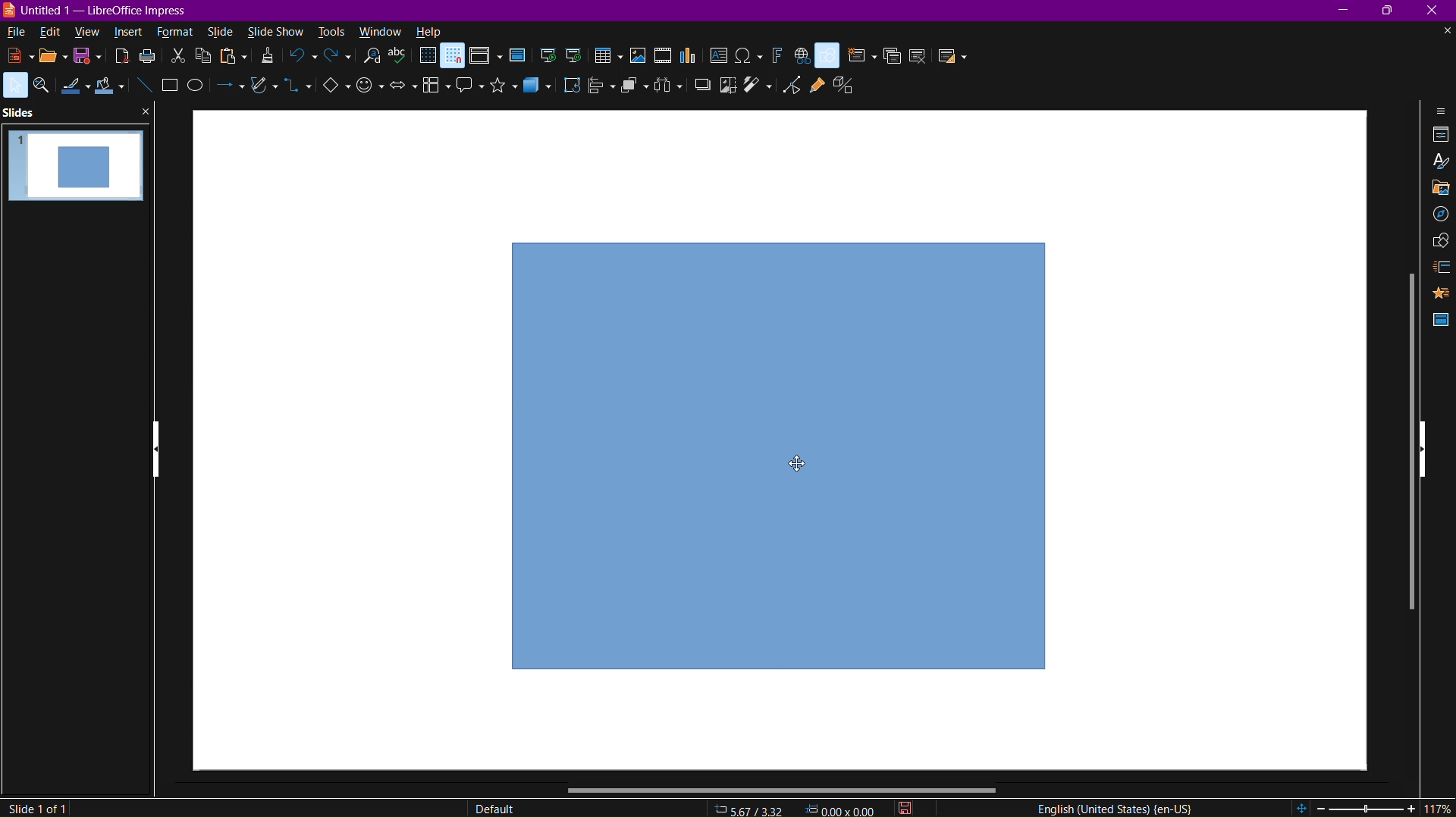 The image size is (1456, 817). Describe the element at coordinates (121, 59) in the screenshot. I see `export as pdf` at that location.